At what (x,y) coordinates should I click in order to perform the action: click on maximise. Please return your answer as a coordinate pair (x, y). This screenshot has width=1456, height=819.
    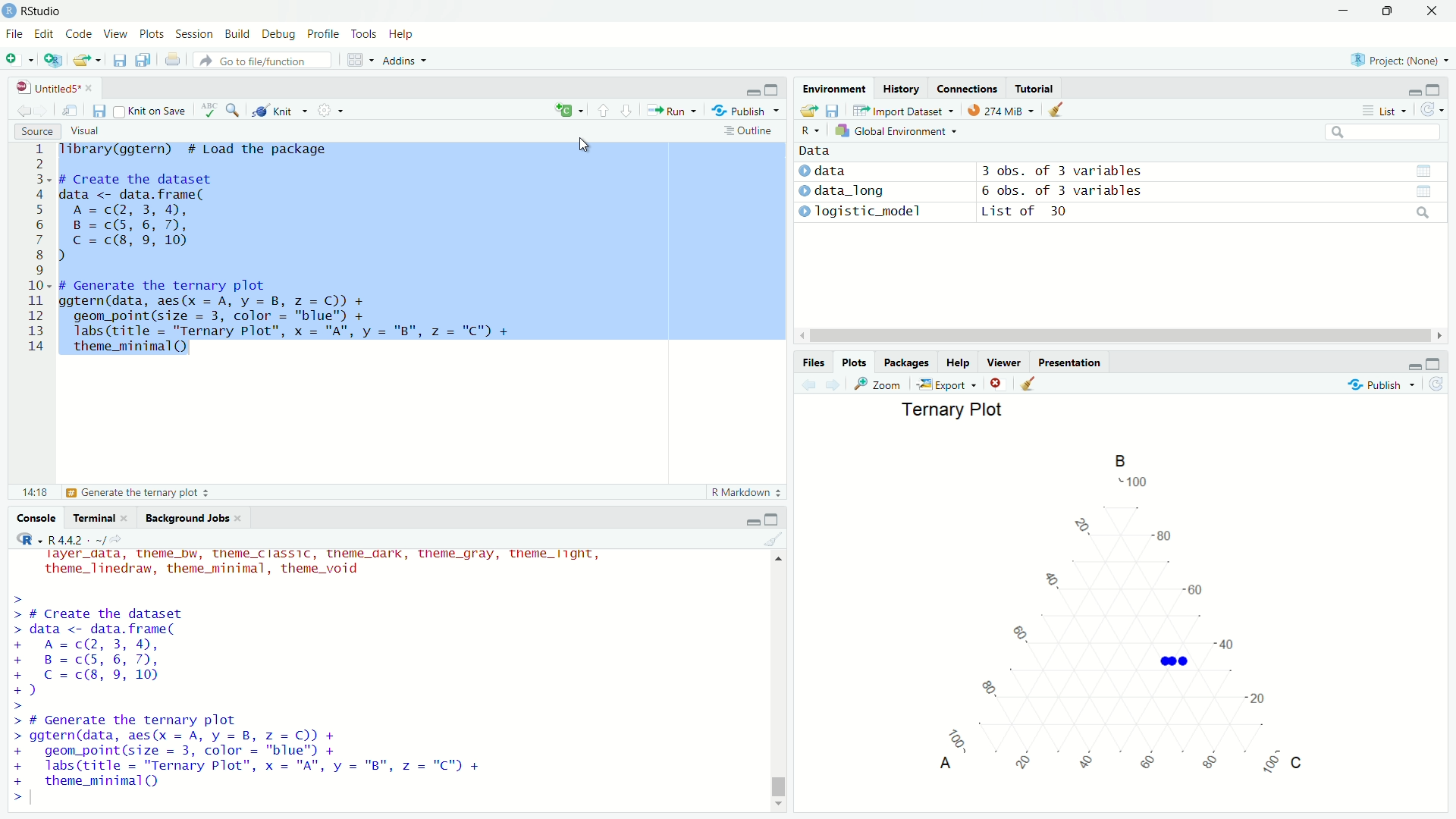
    Looking at the image, I should click on (1435, 89).